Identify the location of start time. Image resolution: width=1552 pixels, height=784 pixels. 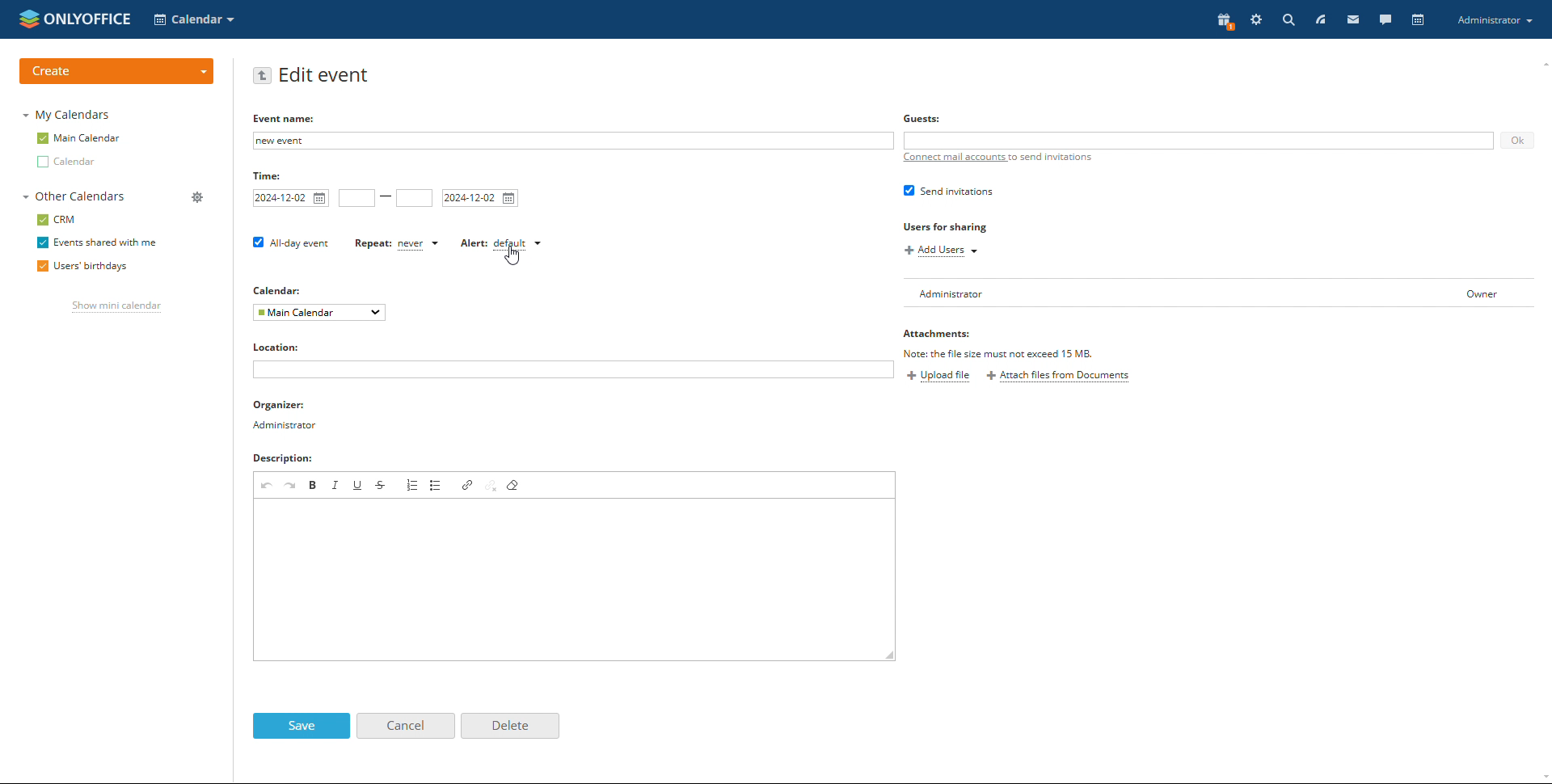
(357, 197).